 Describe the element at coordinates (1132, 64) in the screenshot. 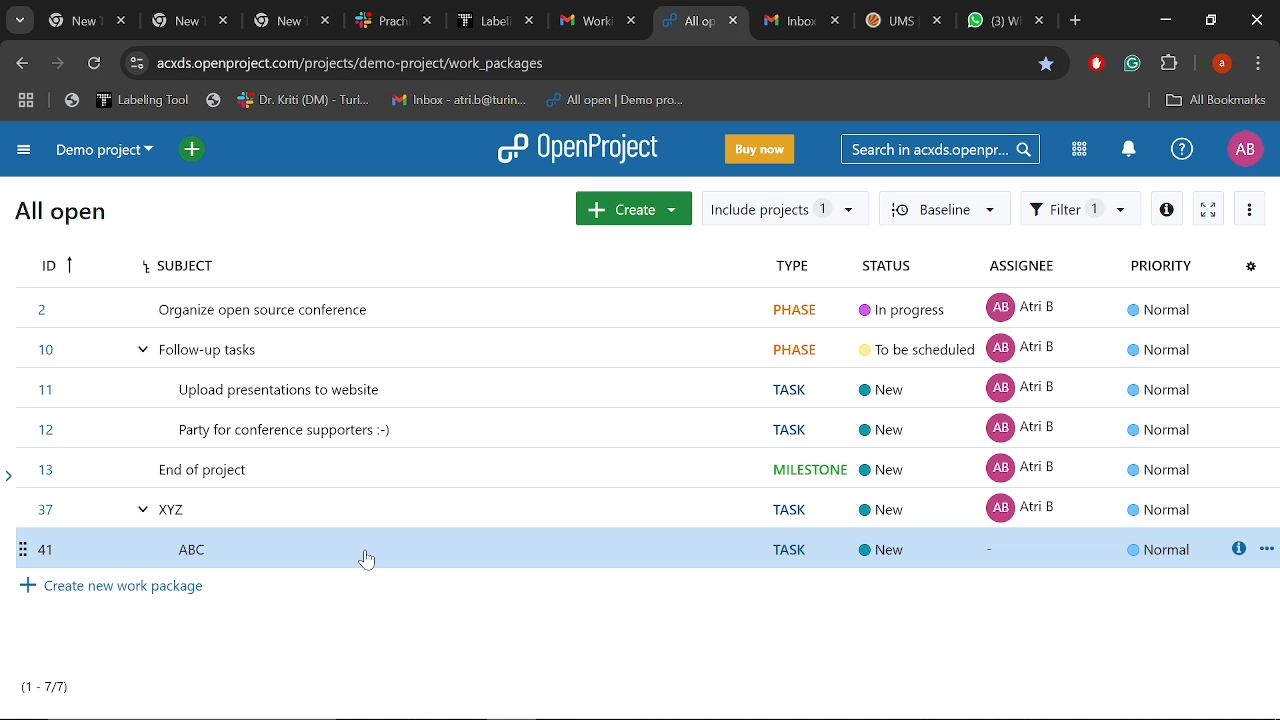

I see `Grammerly` at that location.